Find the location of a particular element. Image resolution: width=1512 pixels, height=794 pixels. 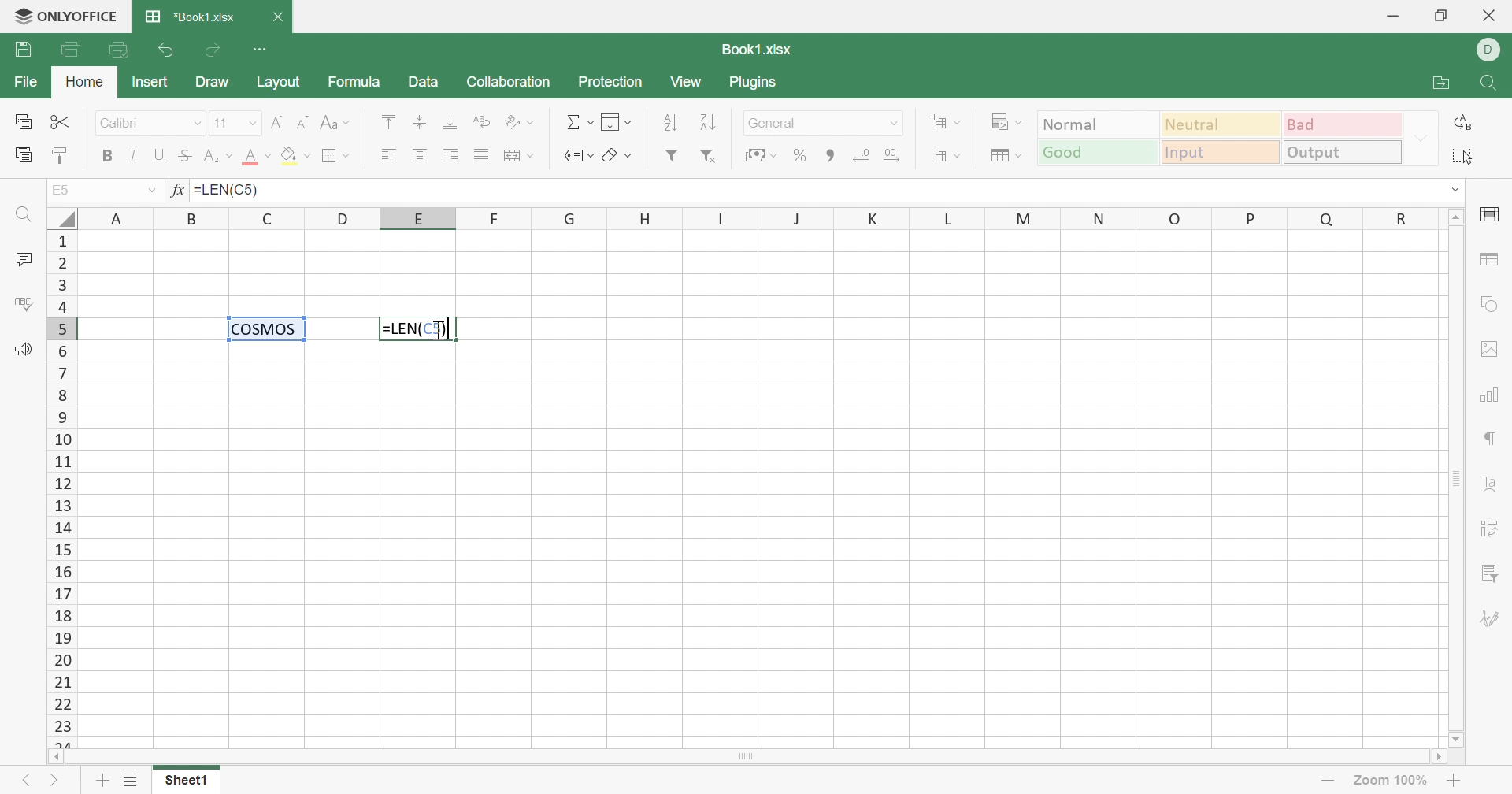

Paragraph settings is located at coordinates (1488, 441).